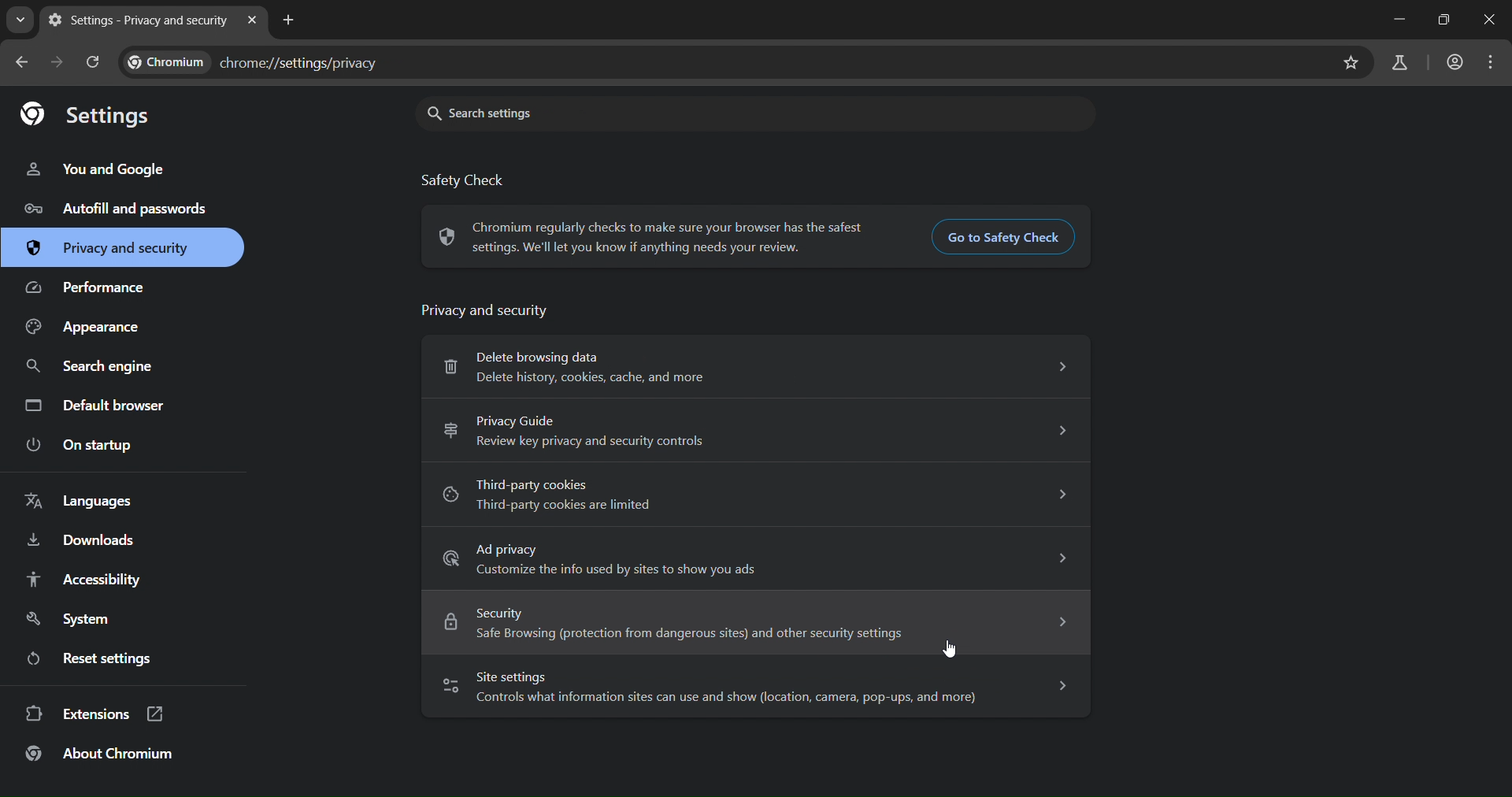  Describe the element at coordinates (135, 20) in the screenshot. I see `Settings - Privacy and security` at that location.